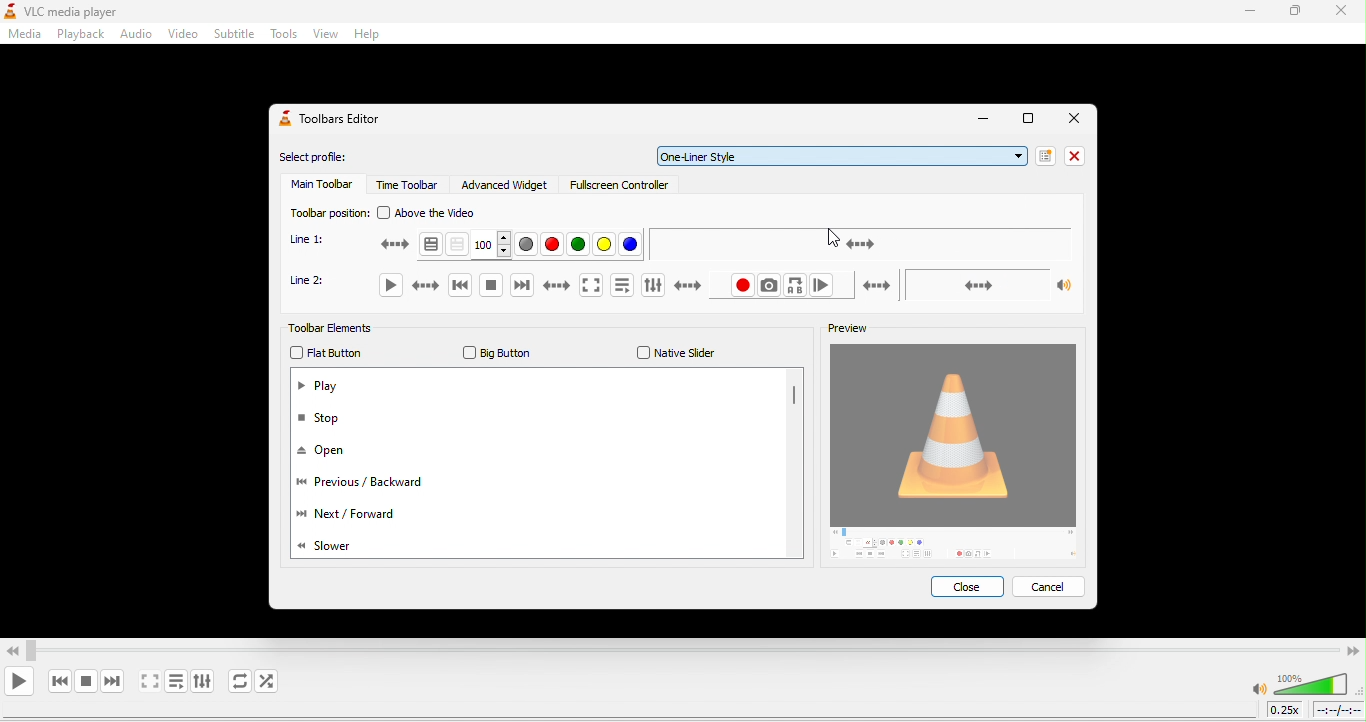 The height and width of the screenshot is (722, 1366). I want to click on new profile, so click(1046, 156).